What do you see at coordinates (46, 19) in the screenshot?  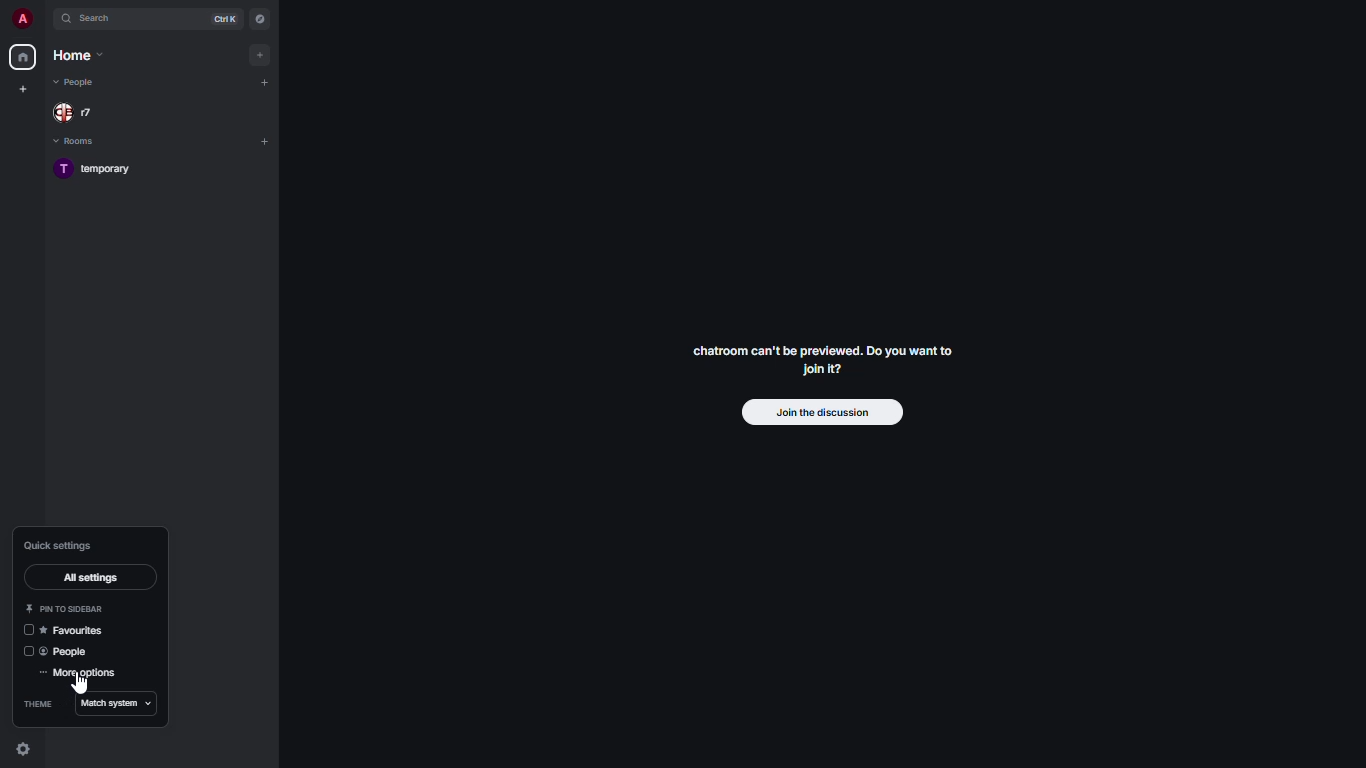 I see `expand` at bounding box center [46, 19].